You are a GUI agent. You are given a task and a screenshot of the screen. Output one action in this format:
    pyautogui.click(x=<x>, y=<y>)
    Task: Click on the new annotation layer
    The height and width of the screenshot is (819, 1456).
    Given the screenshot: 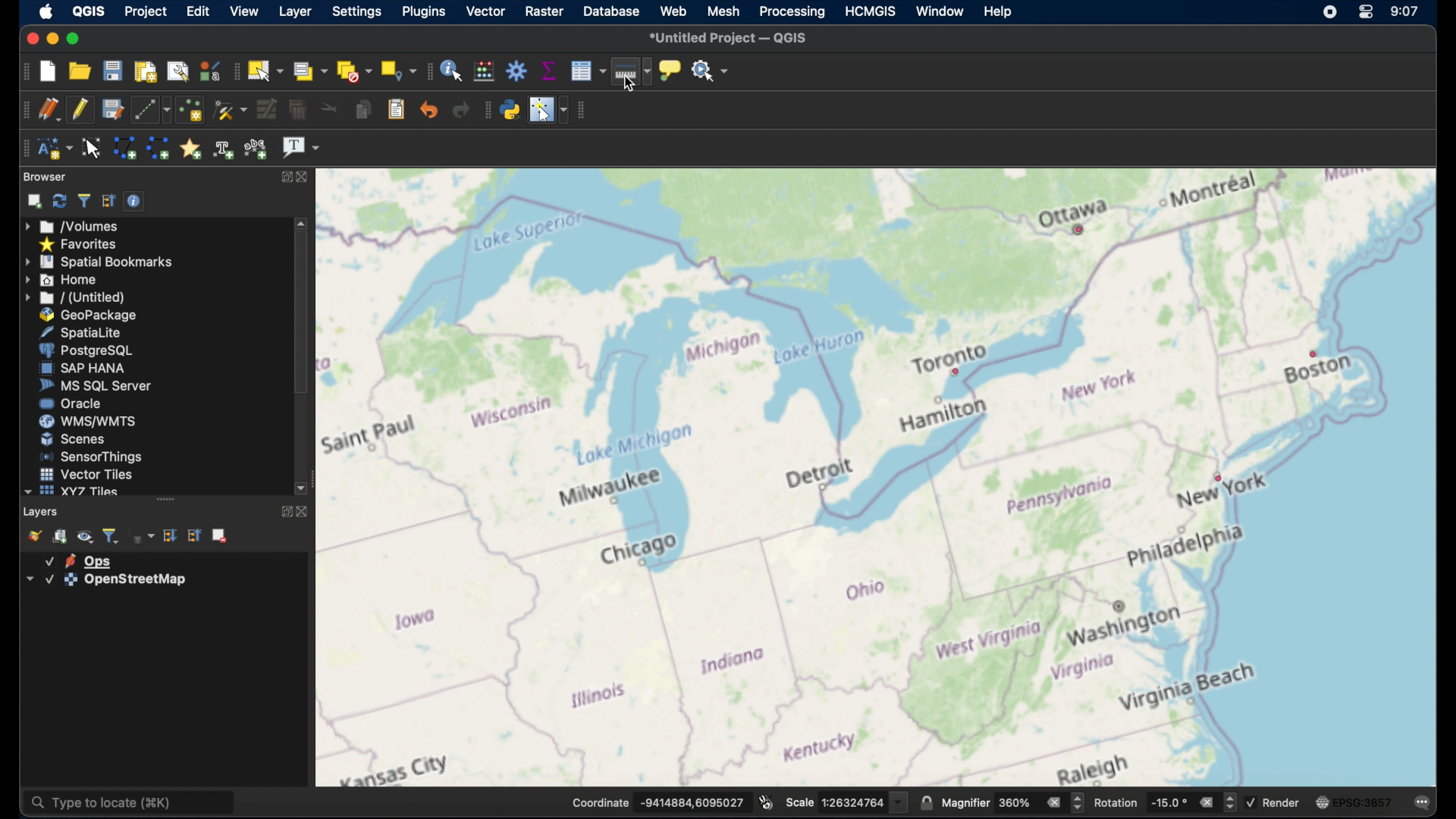 What is the action you would take?
    pyautogui.click(x=54, y=149)
    